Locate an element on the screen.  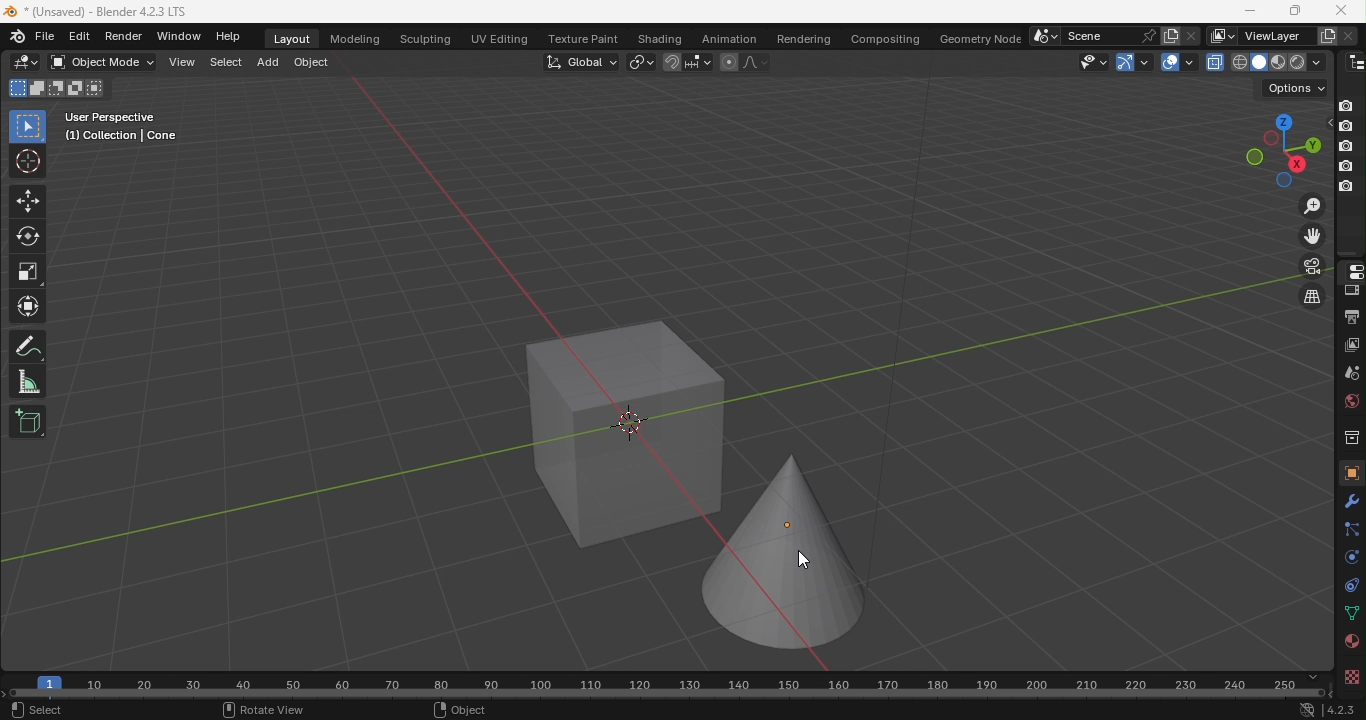
disable in renders is located at coordinates (1346, 146).